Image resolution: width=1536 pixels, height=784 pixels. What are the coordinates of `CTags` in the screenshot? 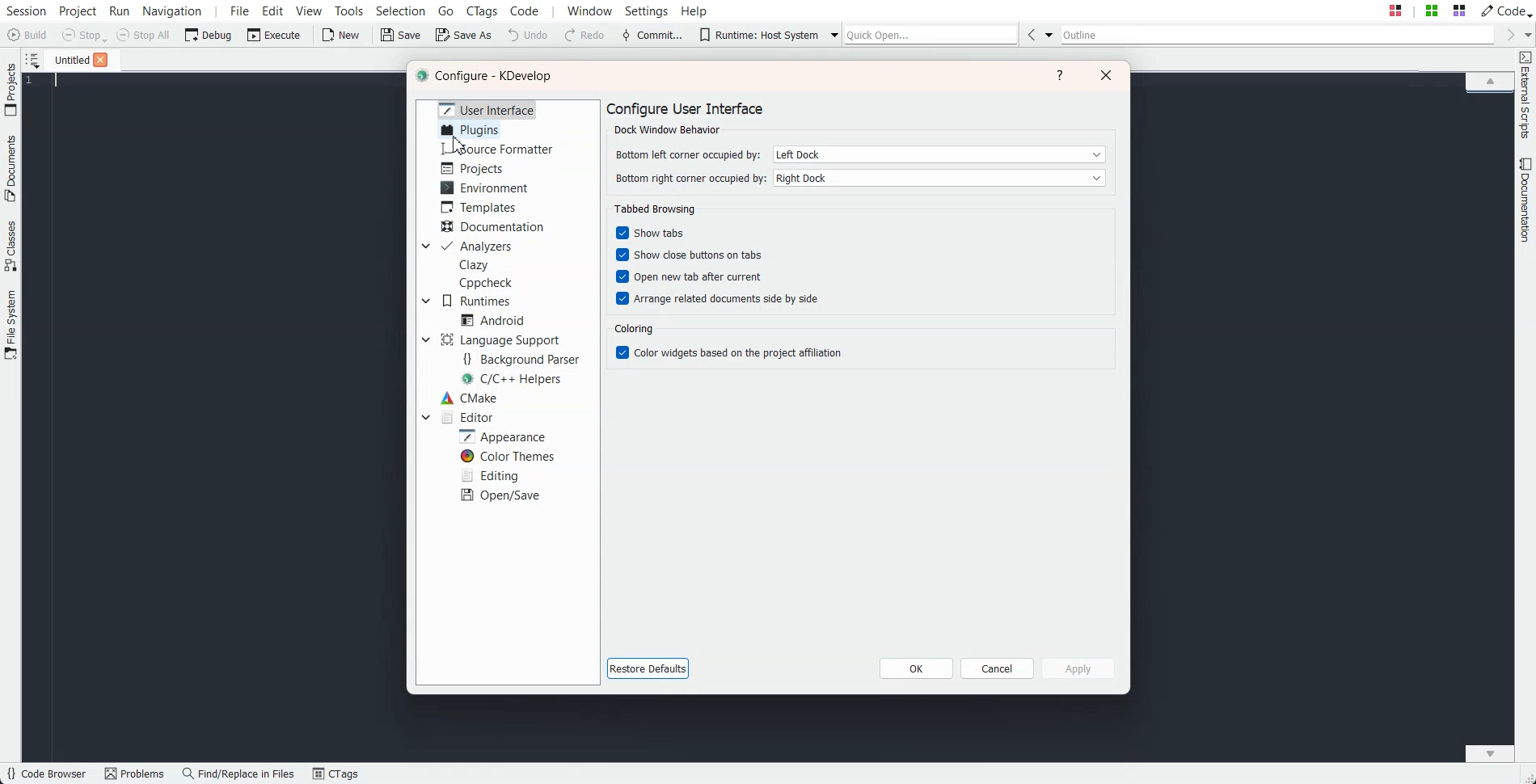 It's located at (335, 774).